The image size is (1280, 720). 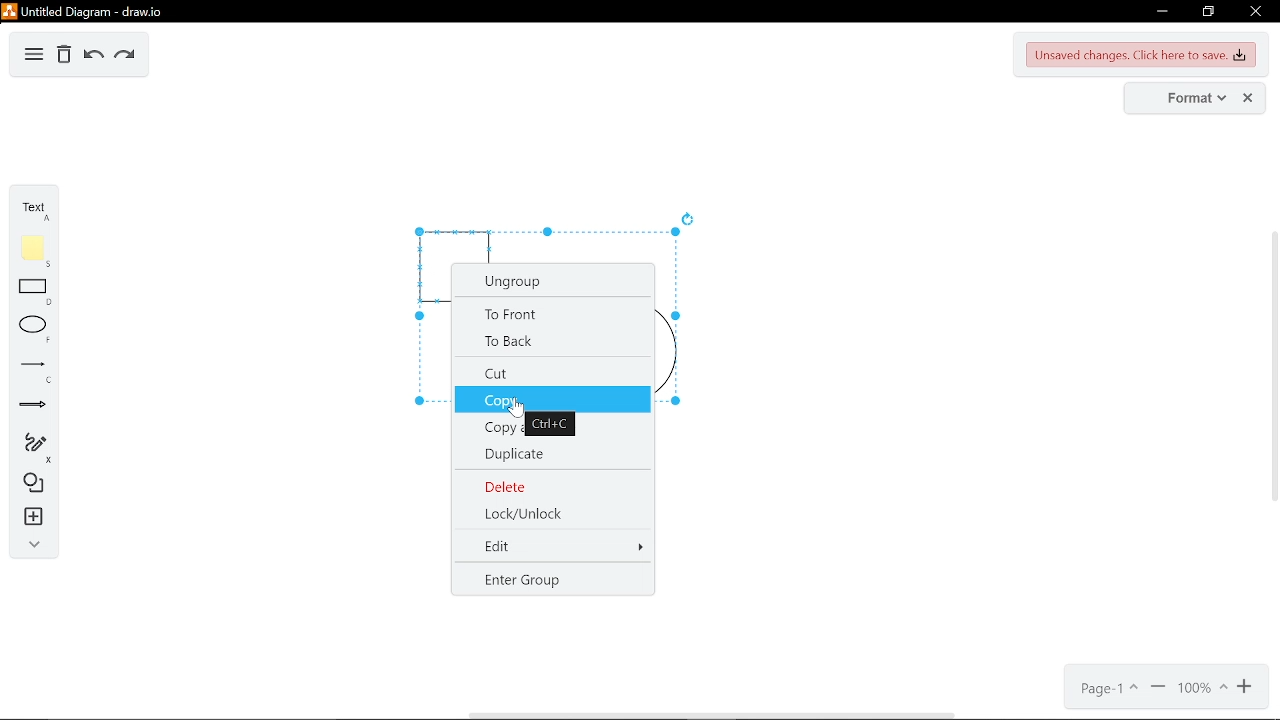 What do you see at coordinates (1246, 688) in the screenshot?
I see `zoom out` at bounding box center [1246, 688].